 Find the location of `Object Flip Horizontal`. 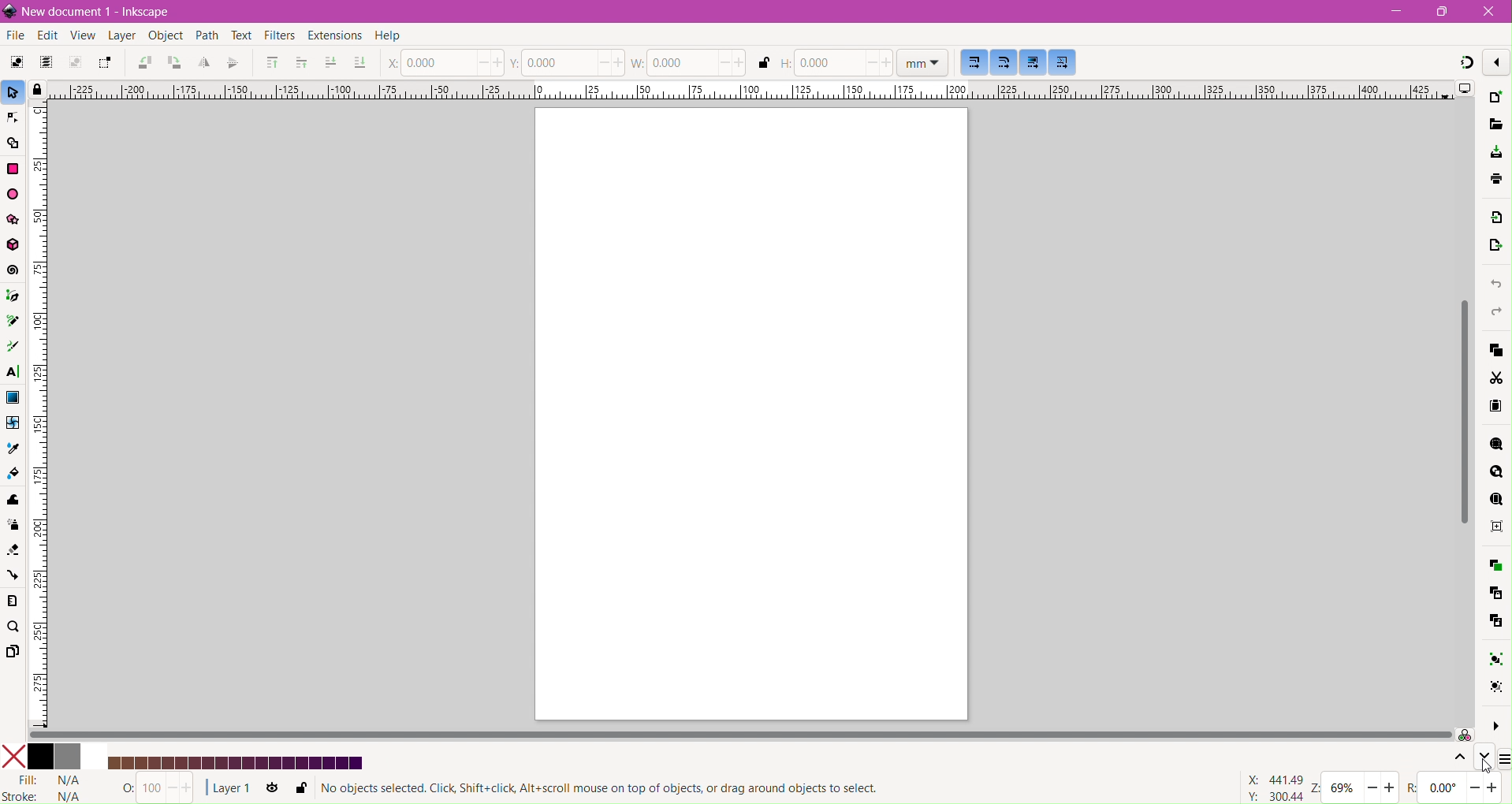

Object Flip Horizontal is located at coordinates (203, 65).